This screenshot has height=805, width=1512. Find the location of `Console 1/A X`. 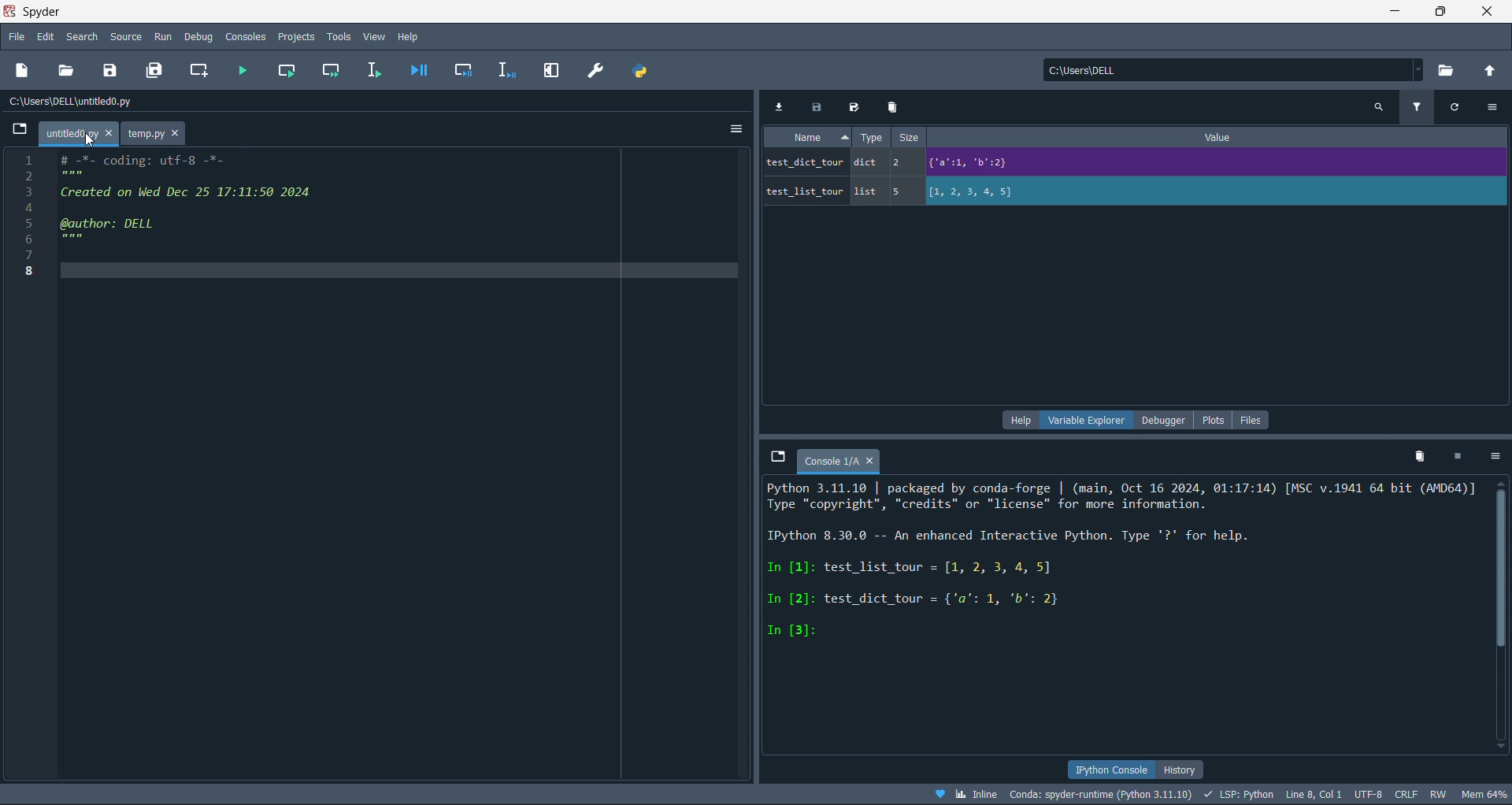

Console 1/A X is located at coordinates (842, 462).